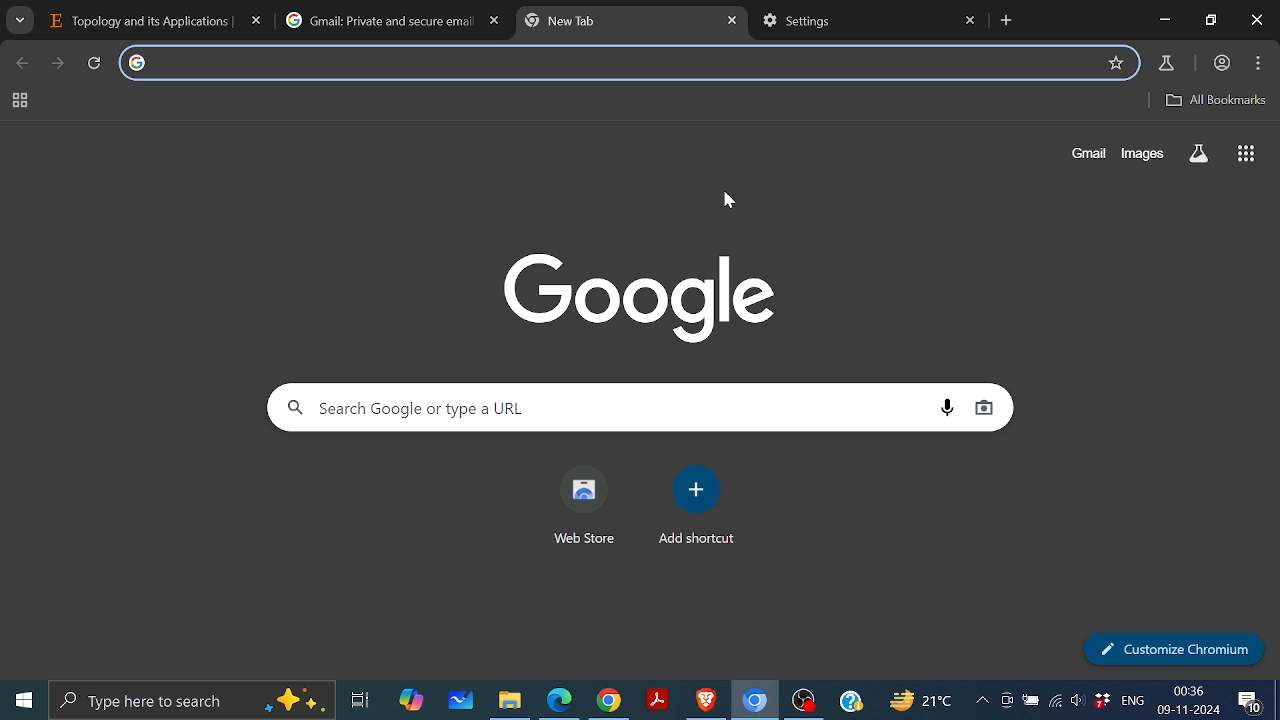 The image size is (1280, 720). I want to click on weather, so click(918, 700).